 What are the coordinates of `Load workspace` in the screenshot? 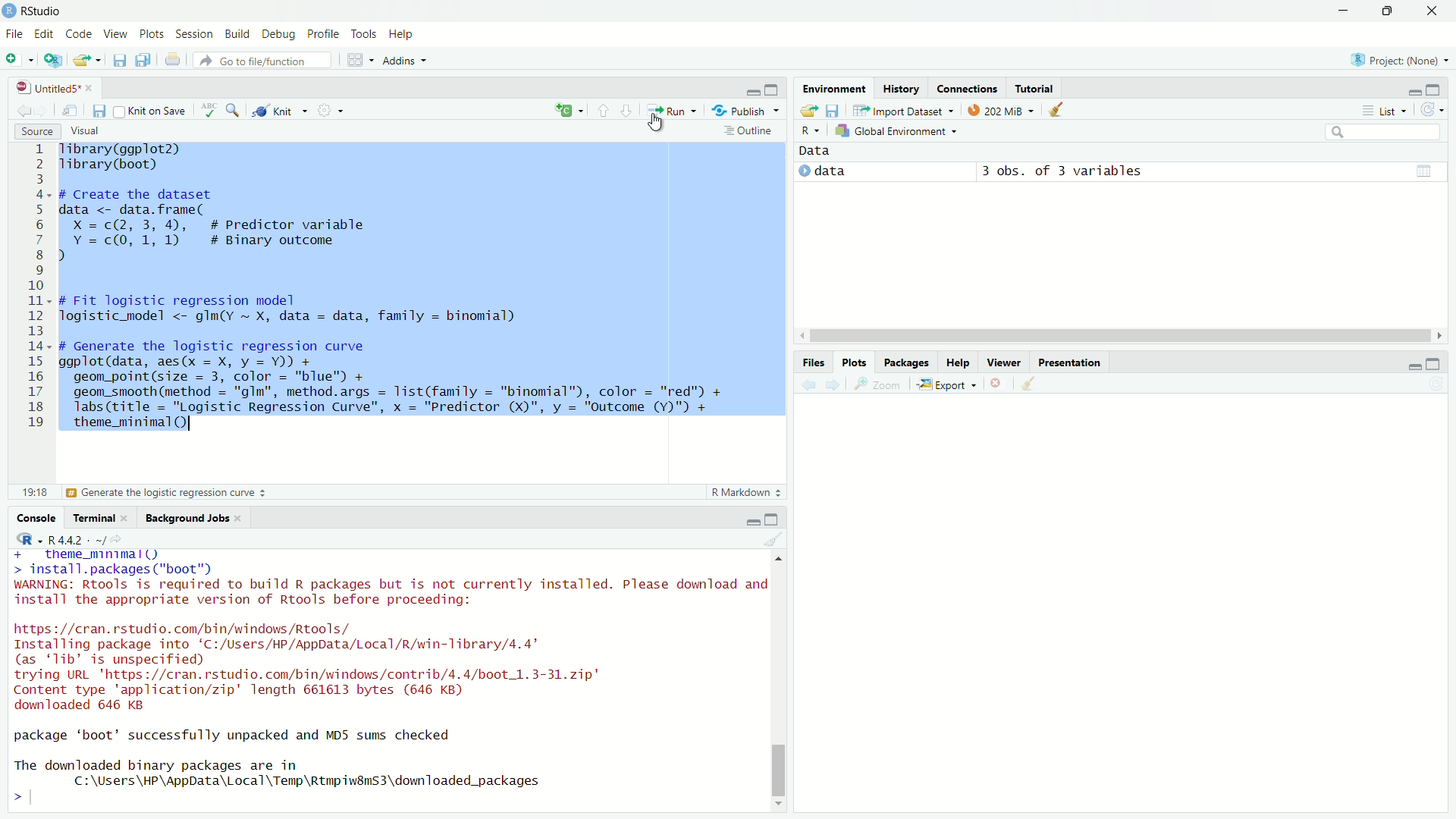 It's located at (808, 111).